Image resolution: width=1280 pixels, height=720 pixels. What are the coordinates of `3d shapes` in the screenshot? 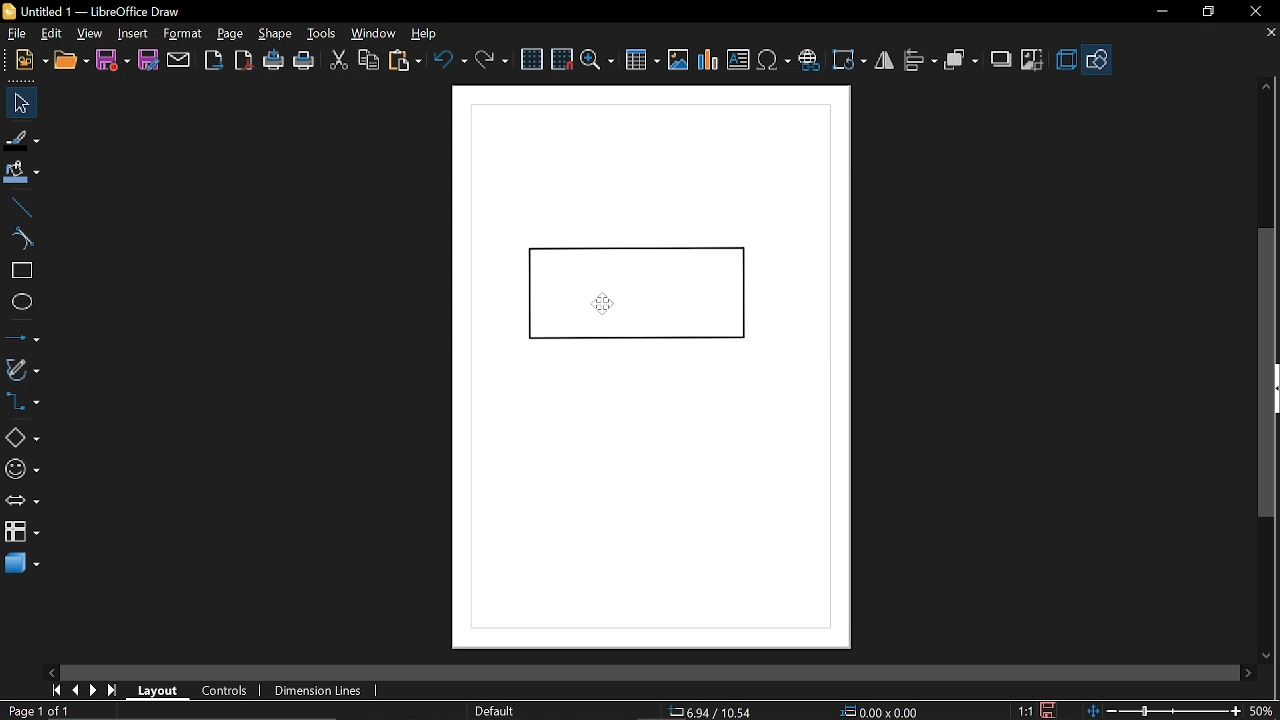 It's located at (21, 564).